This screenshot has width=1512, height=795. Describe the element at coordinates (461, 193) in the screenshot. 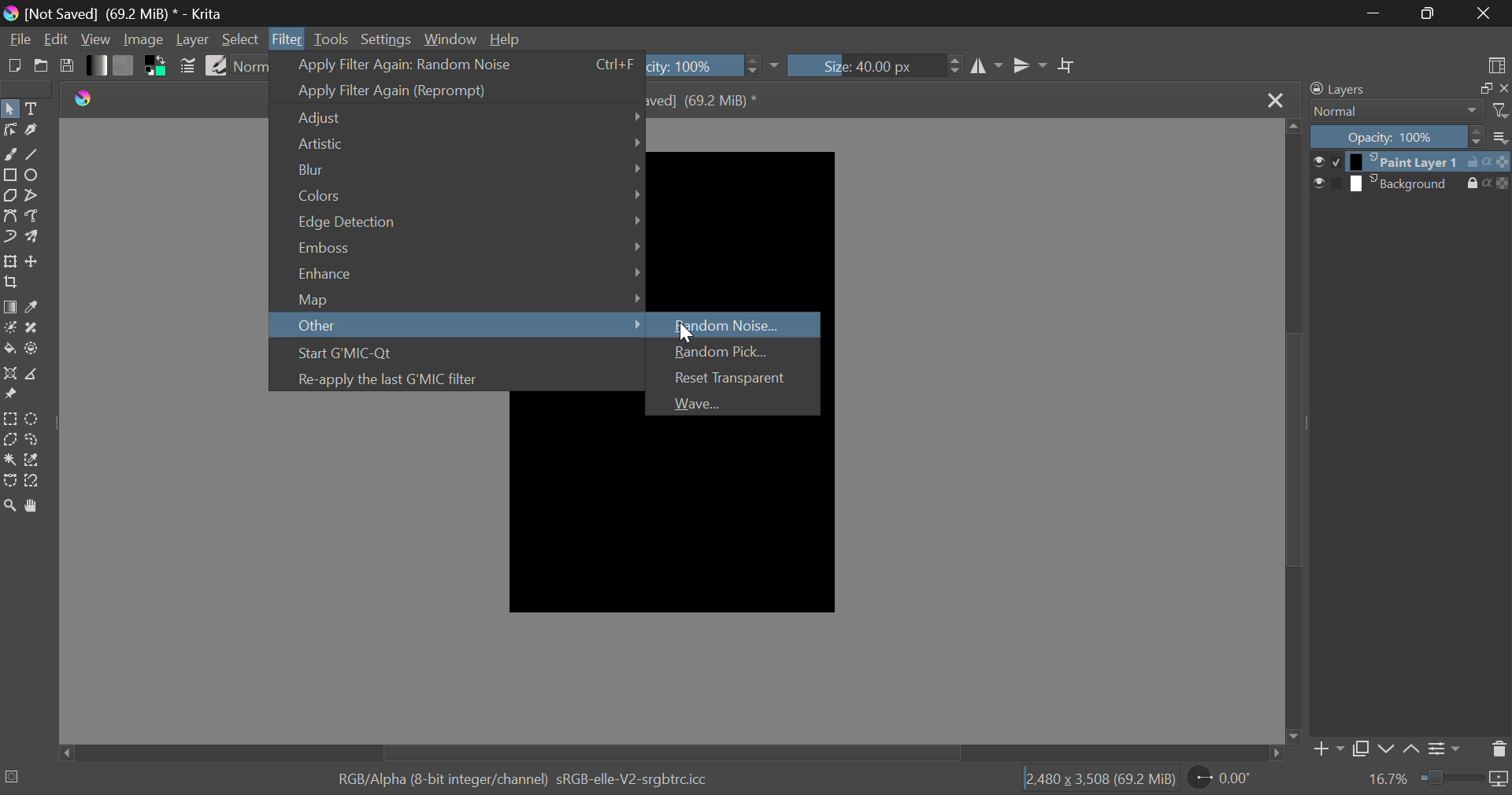

I see `Colors` at that location.